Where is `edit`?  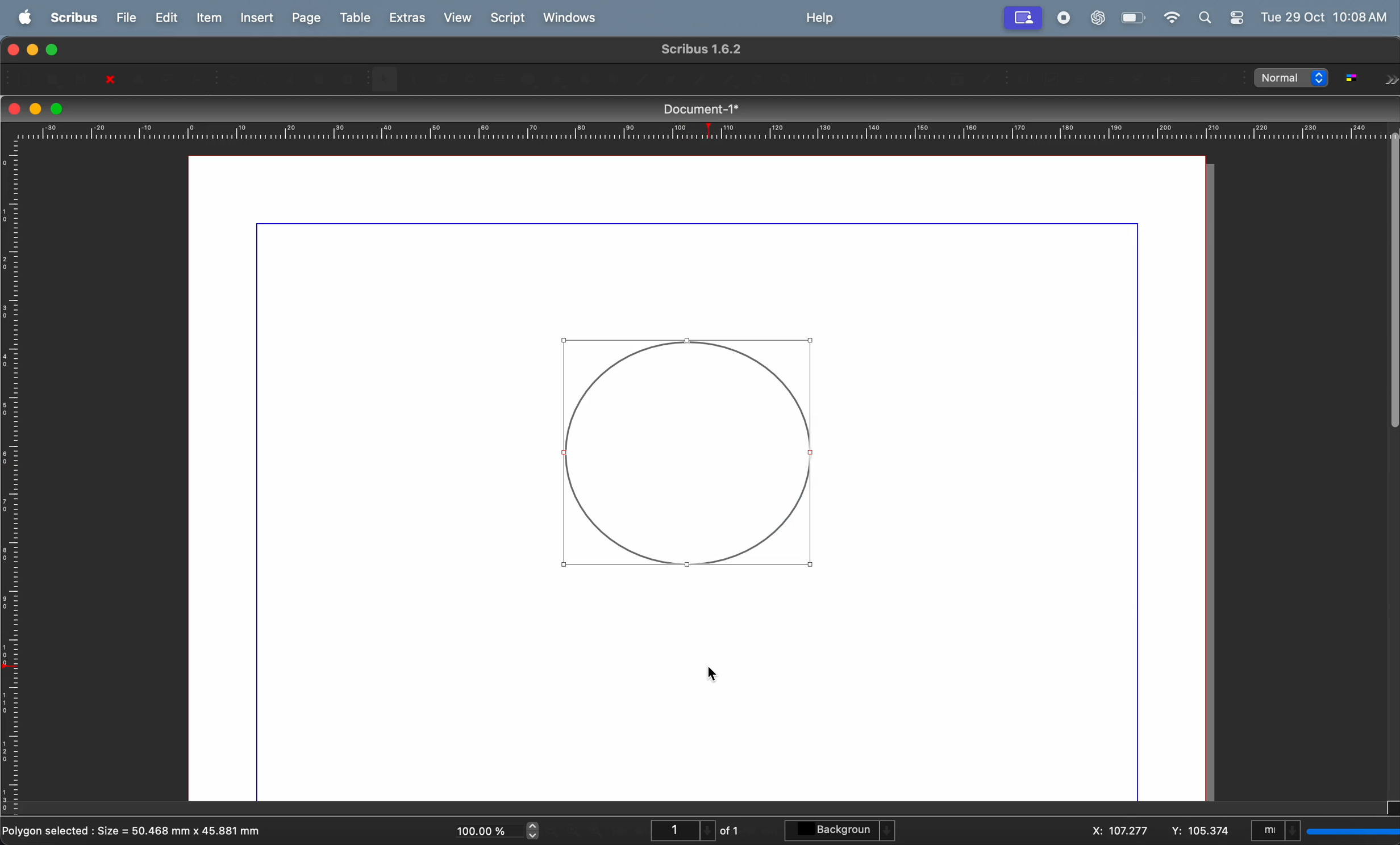 edit is located at coordinates (162, 18).